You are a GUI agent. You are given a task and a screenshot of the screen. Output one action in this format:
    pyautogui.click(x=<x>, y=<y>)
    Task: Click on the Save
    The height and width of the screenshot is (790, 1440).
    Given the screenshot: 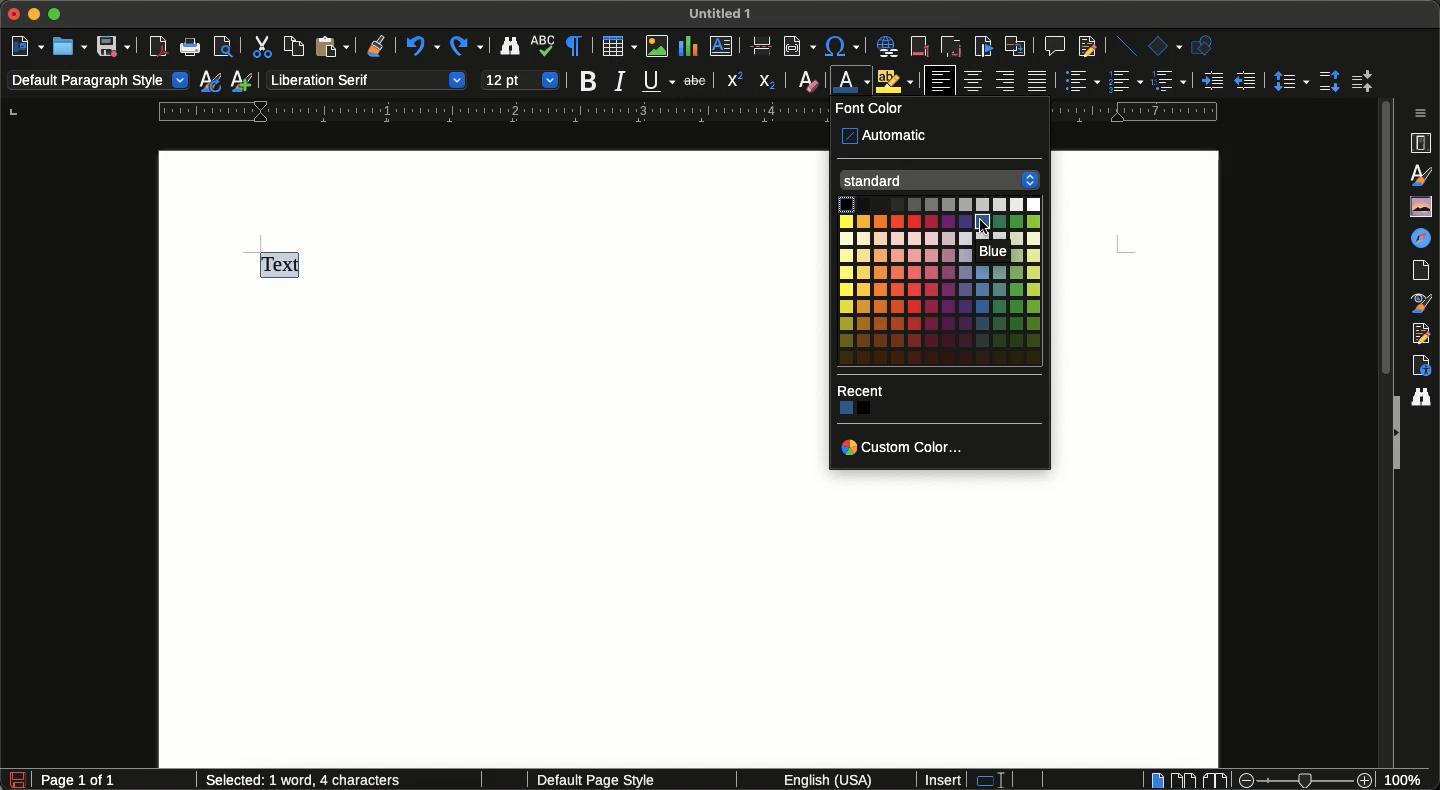 What is the action you would take?
    pyautogui.click(x=113, y=46)
    